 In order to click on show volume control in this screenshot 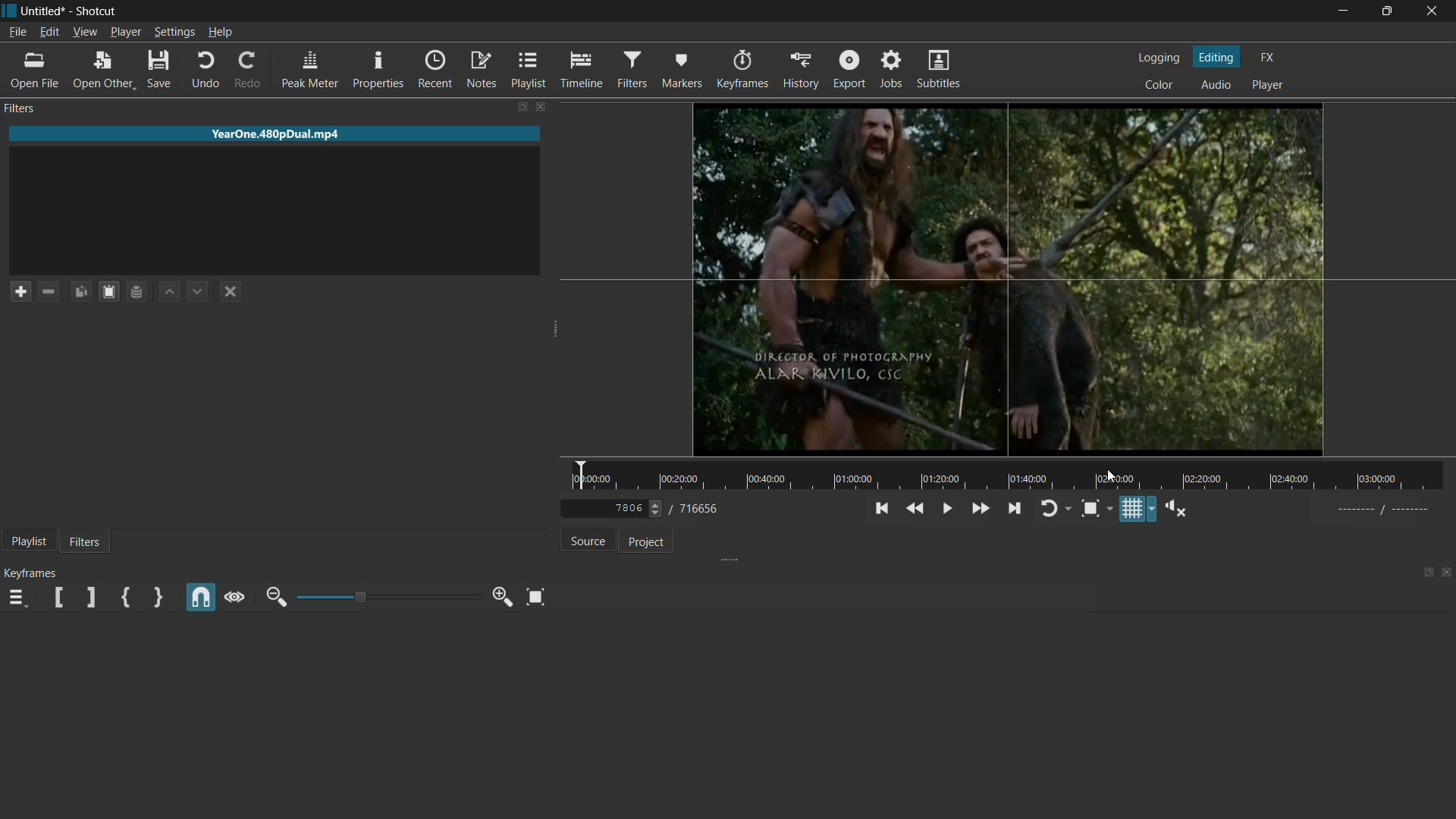, I will do `click(1175, 508)`.